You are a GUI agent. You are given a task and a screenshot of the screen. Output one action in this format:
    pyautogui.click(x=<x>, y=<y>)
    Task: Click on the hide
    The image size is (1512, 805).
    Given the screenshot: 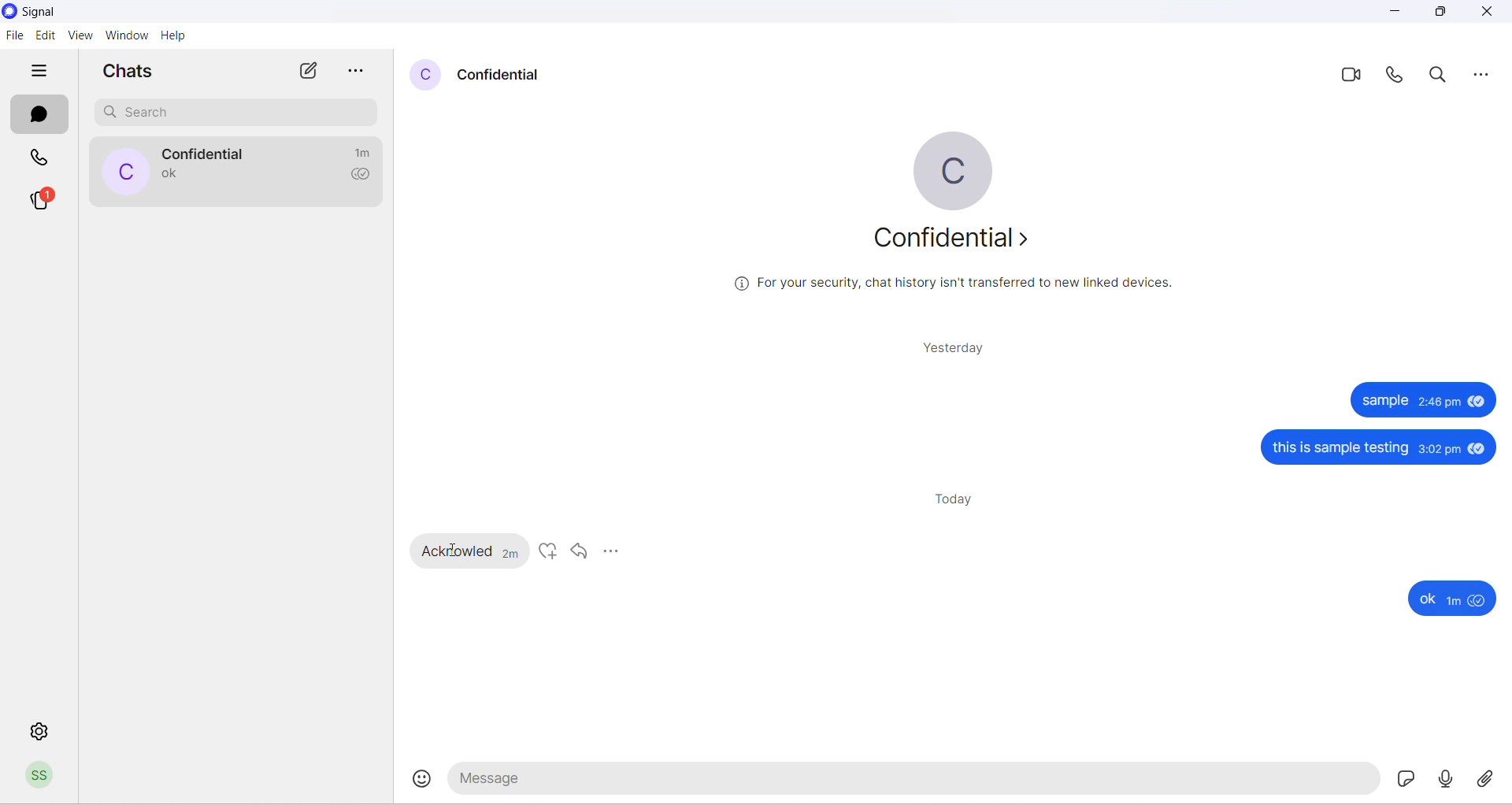 What is the action you would take?
    pyautogui.click(x=37, y=70)
    